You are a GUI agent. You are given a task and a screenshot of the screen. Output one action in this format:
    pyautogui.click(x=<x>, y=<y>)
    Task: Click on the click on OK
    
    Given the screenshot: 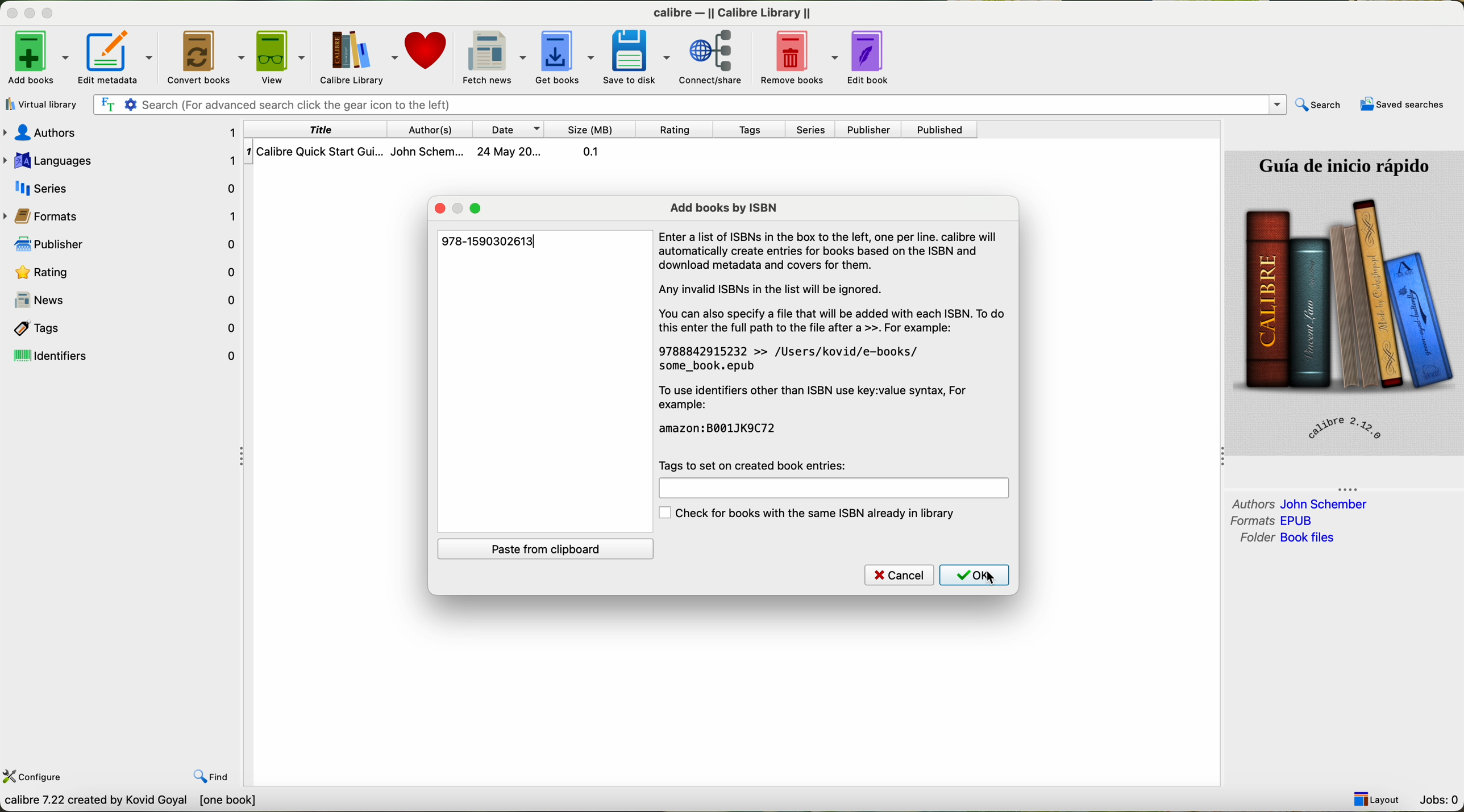 What is the action you would take?
    pyautogui.click(x=974, y=576)
    